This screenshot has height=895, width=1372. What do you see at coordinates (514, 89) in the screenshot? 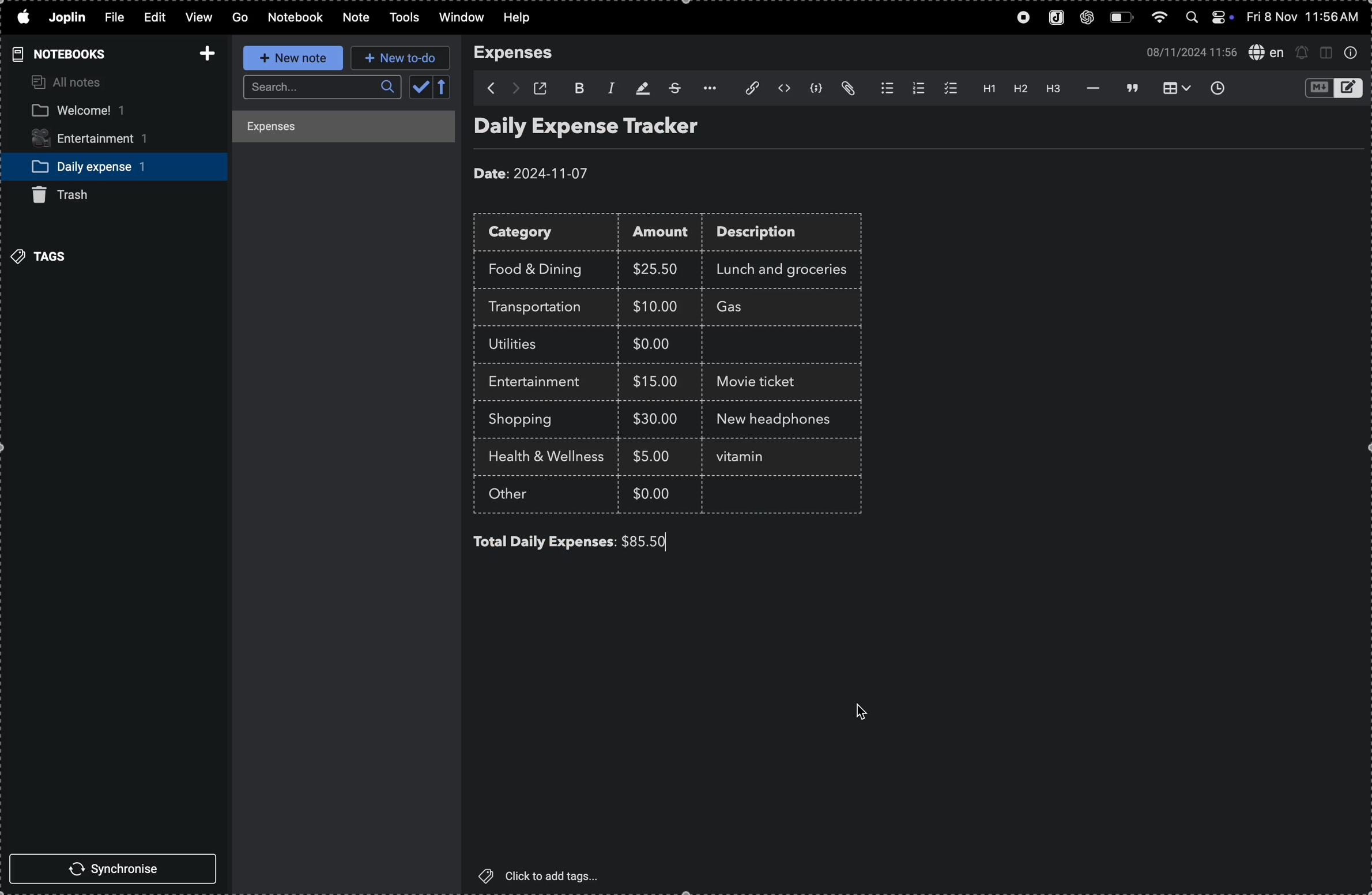
I see `forward` at bounding box center [514, 89].